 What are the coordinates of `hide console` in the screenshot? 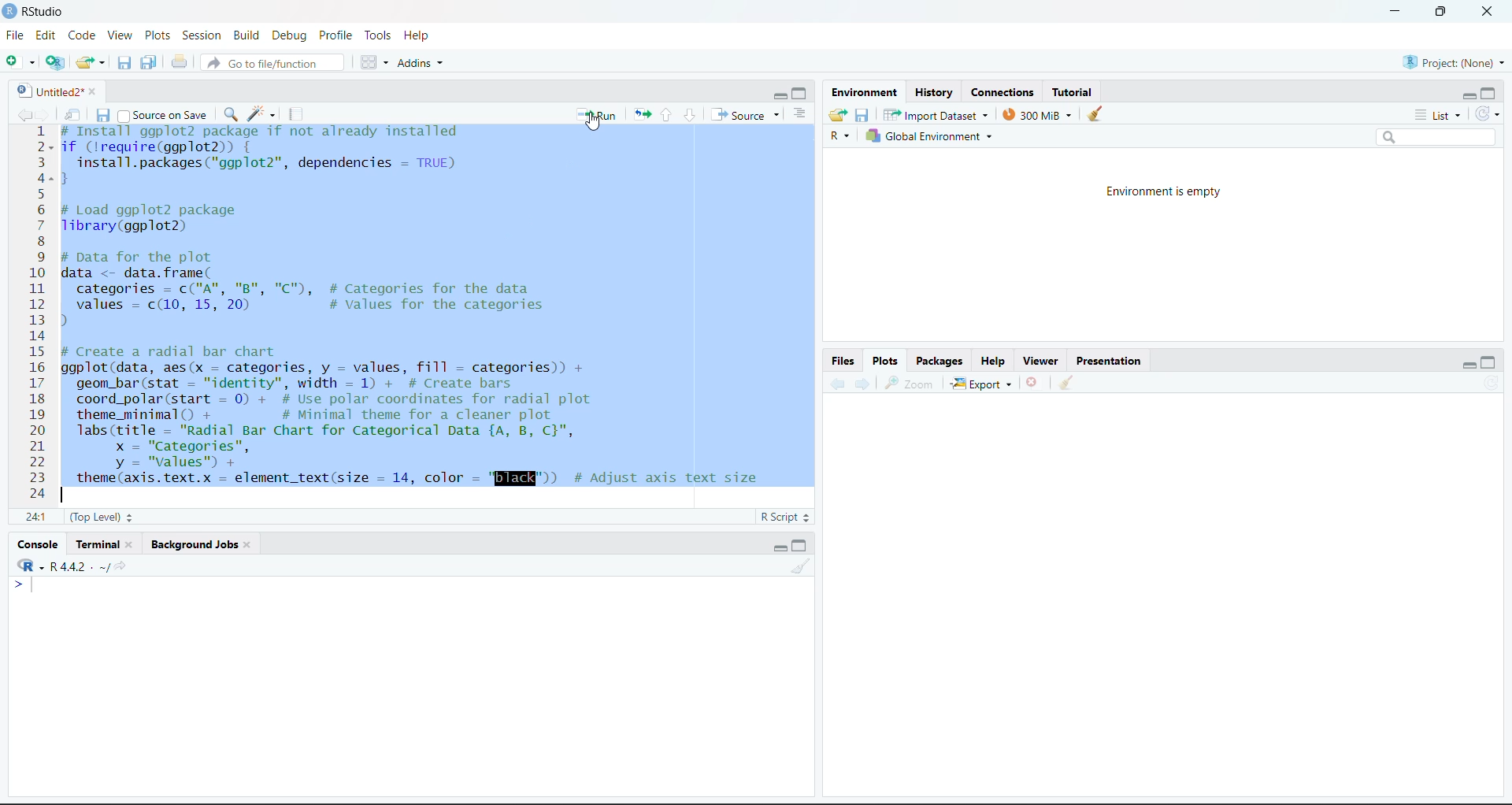 It's located at (1491, 94).